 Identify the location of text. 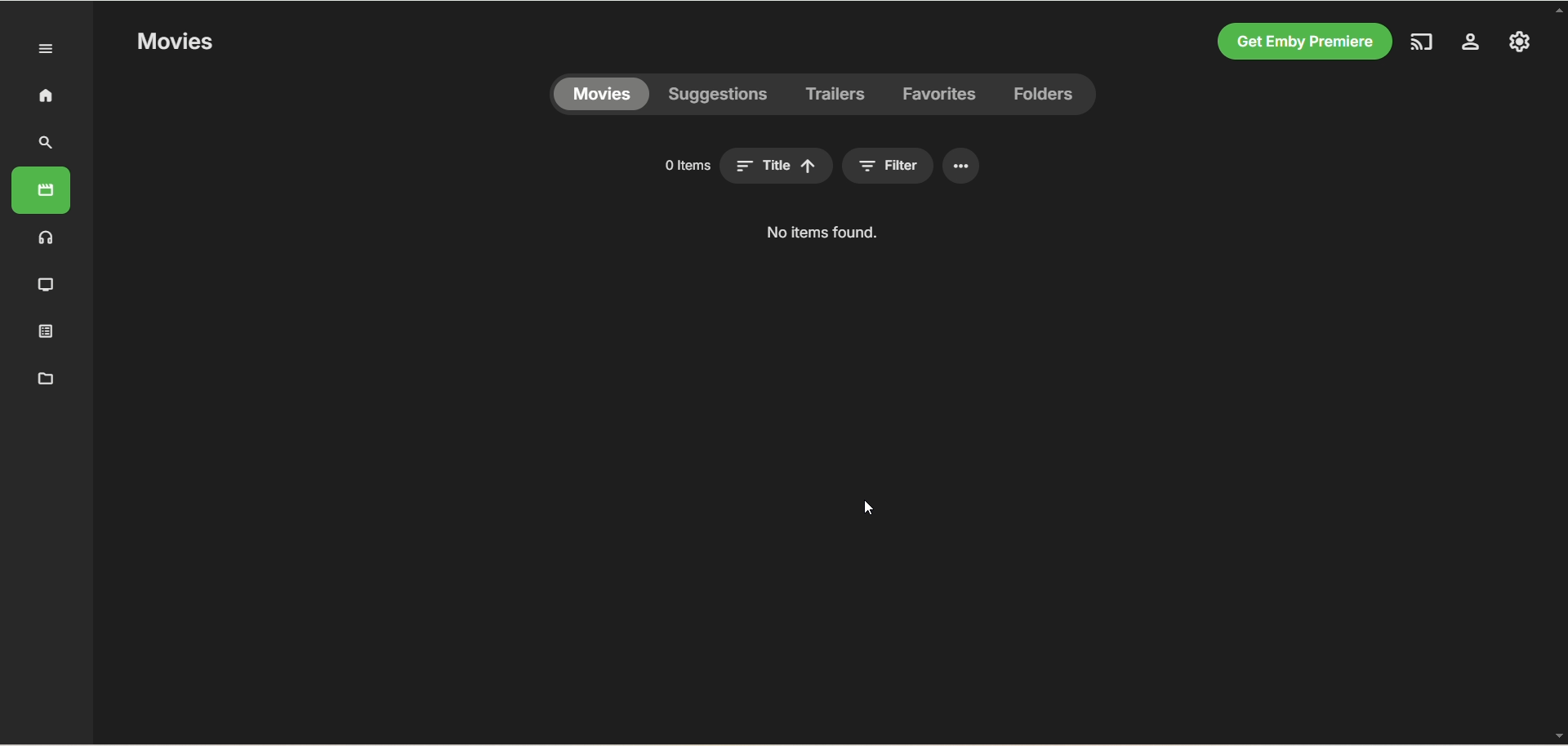
(817, 233).